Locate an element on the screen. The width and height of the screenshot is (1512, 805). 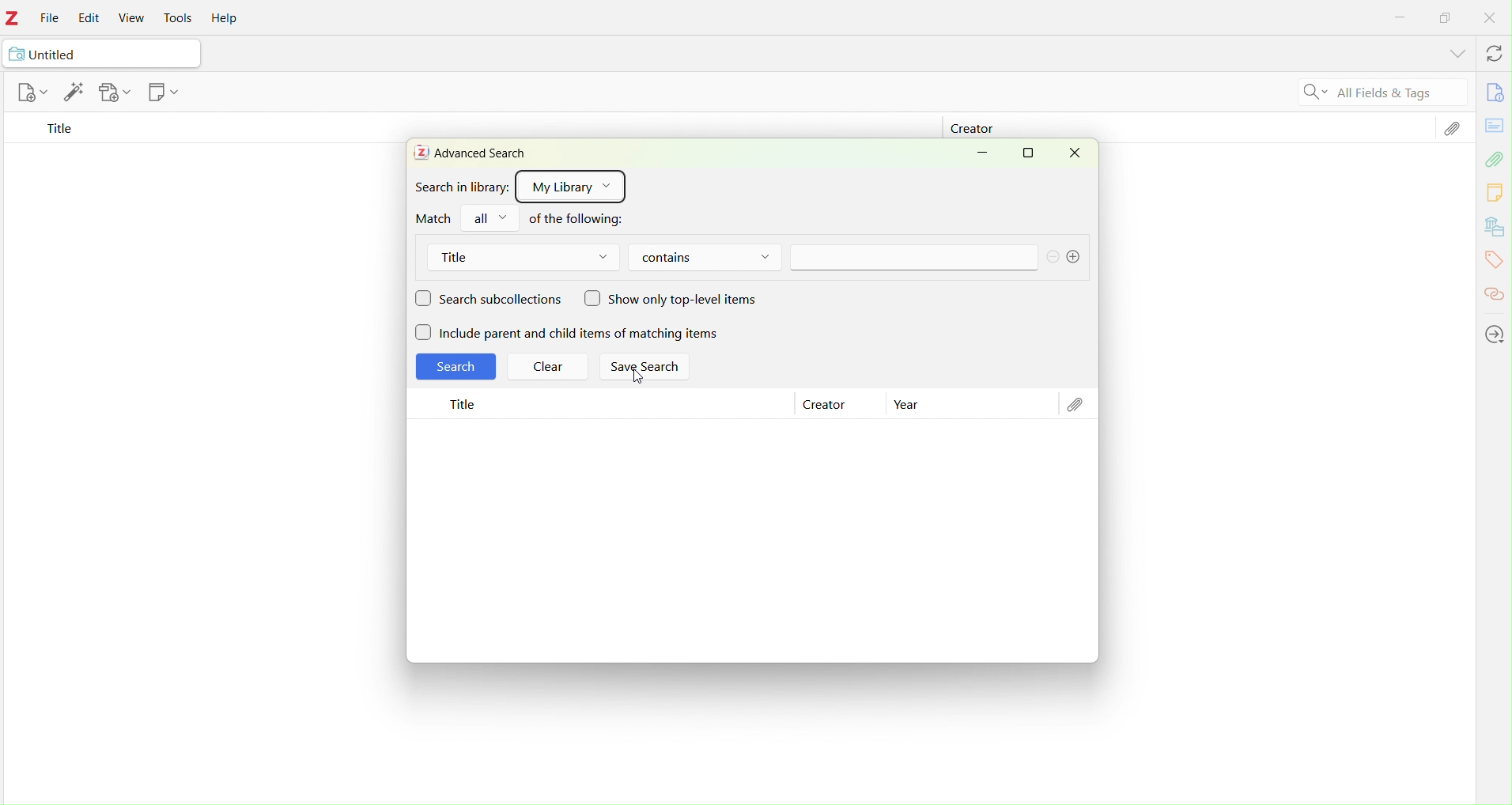
Contains is located at coordinates (710, 259).